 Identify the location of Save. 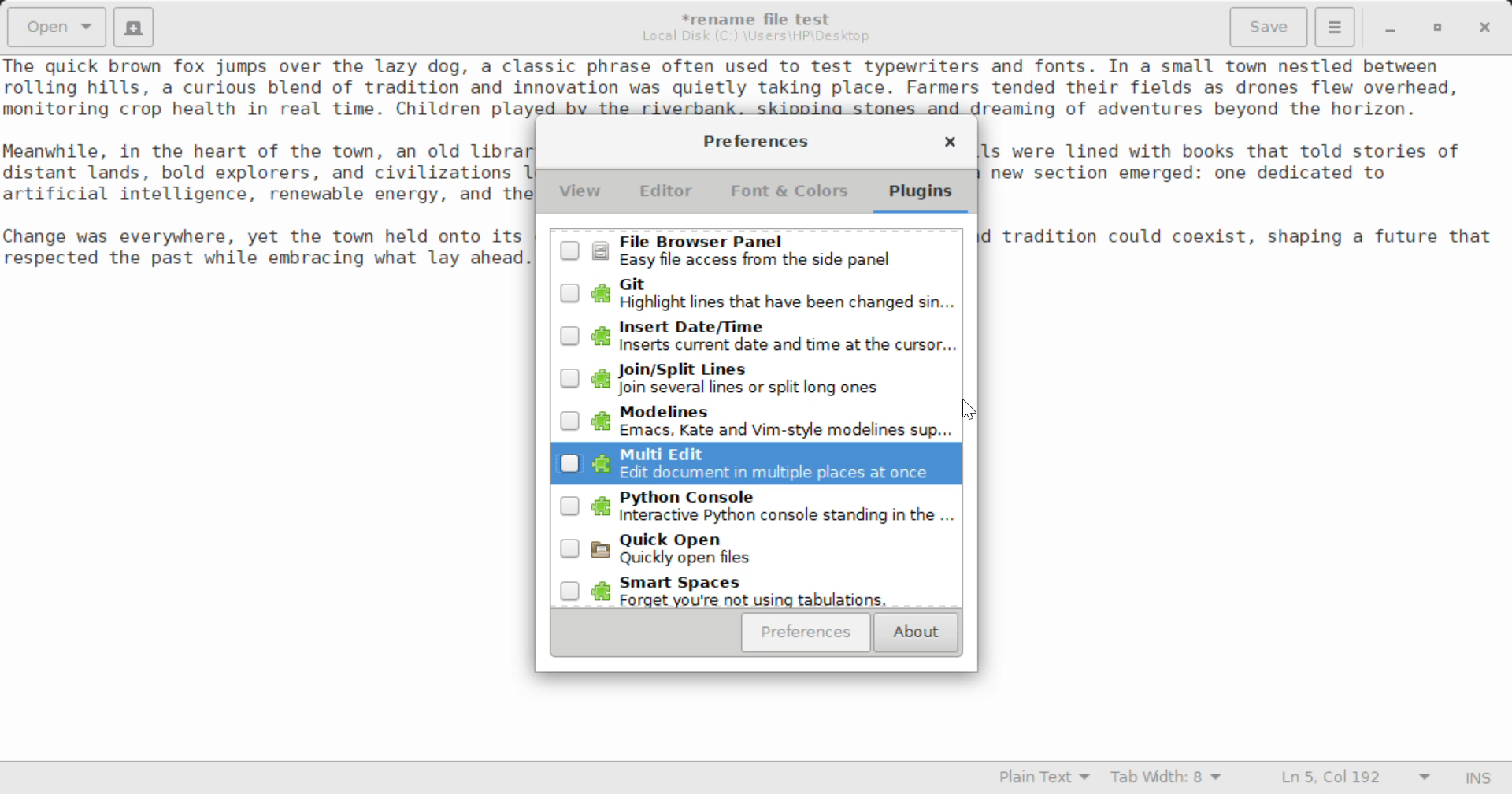
(1270, 28).